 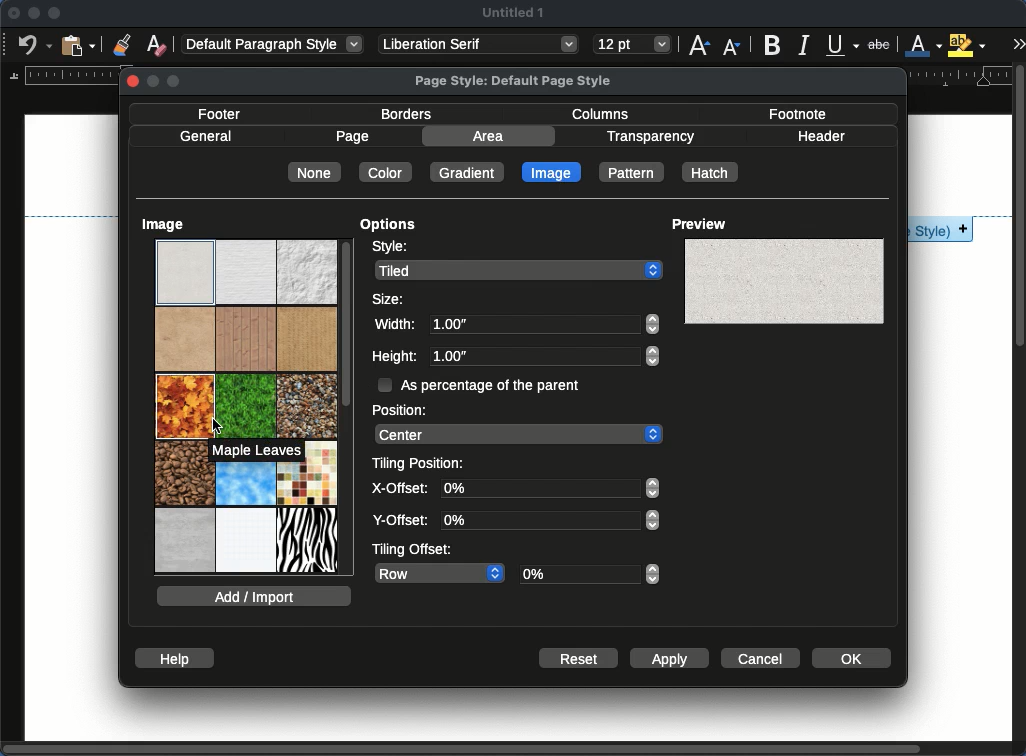 What do you see at coordinates (480, 386) in the screenshot?
I see `as percentage of the parent` at bounding box center [480, 386].